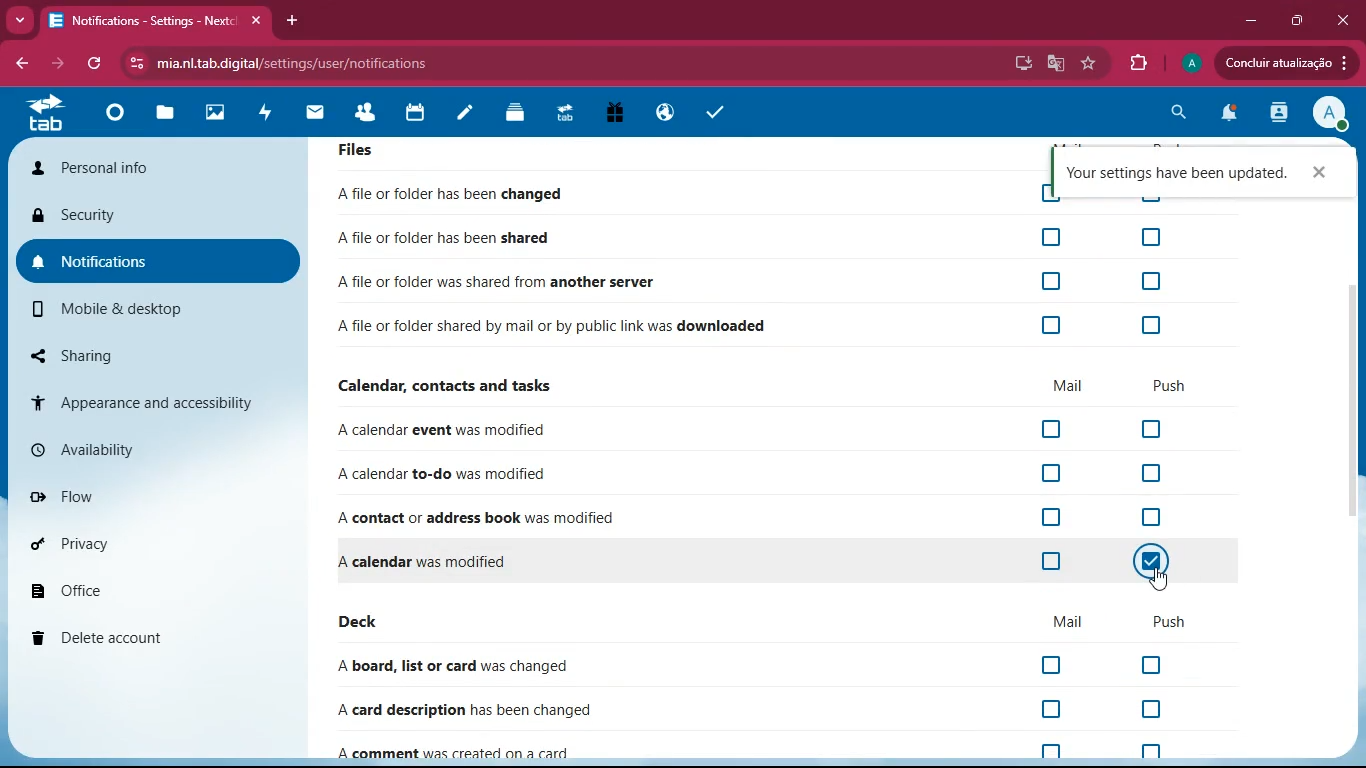 The image size is (1366, 768). Describe the element at coordinates (1147, 431) in the screenshot. I see `off` at that location.